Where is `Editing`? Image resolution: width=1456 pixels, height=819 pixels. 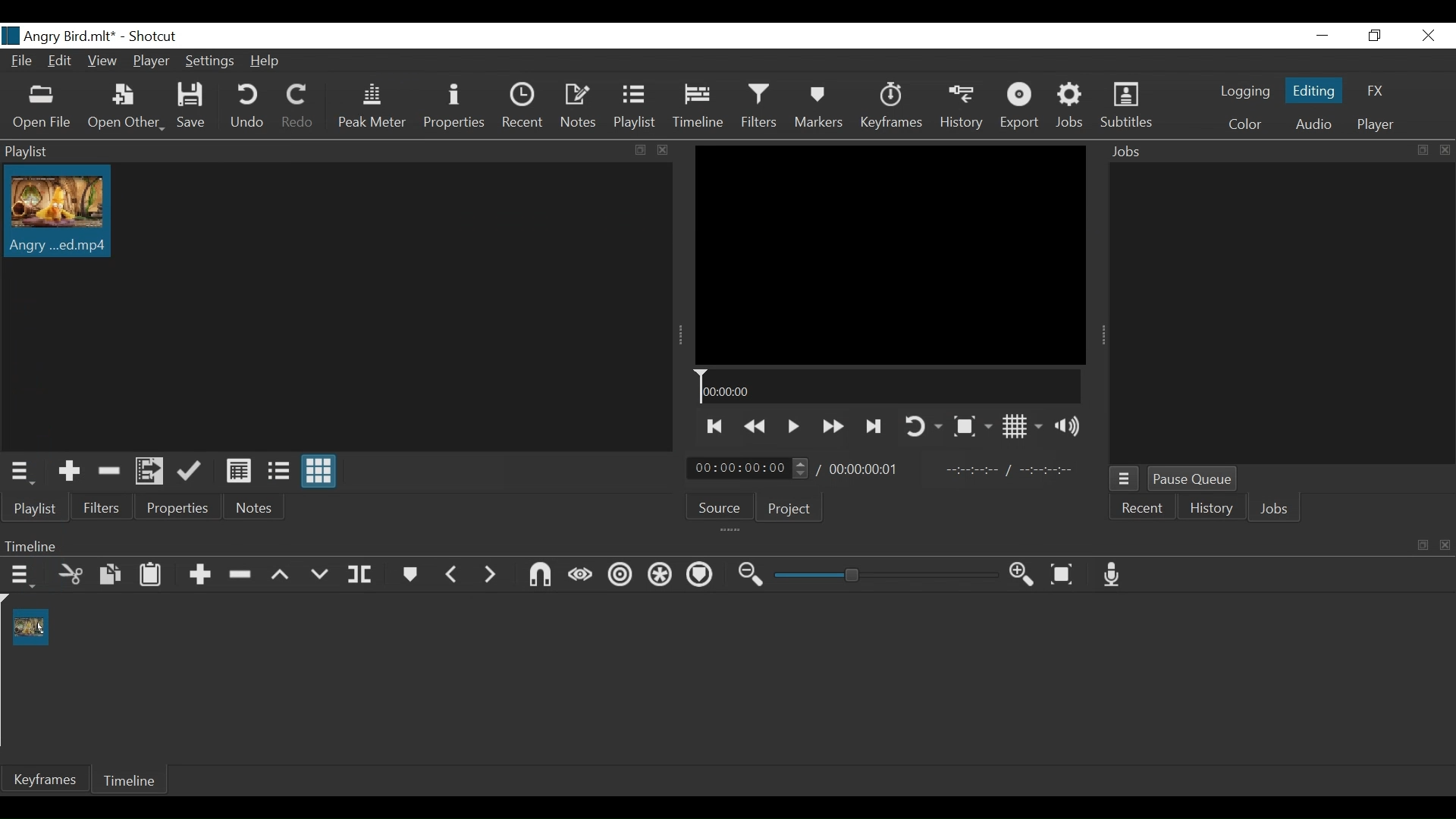 Editing is located at coordinates (1313, 89).